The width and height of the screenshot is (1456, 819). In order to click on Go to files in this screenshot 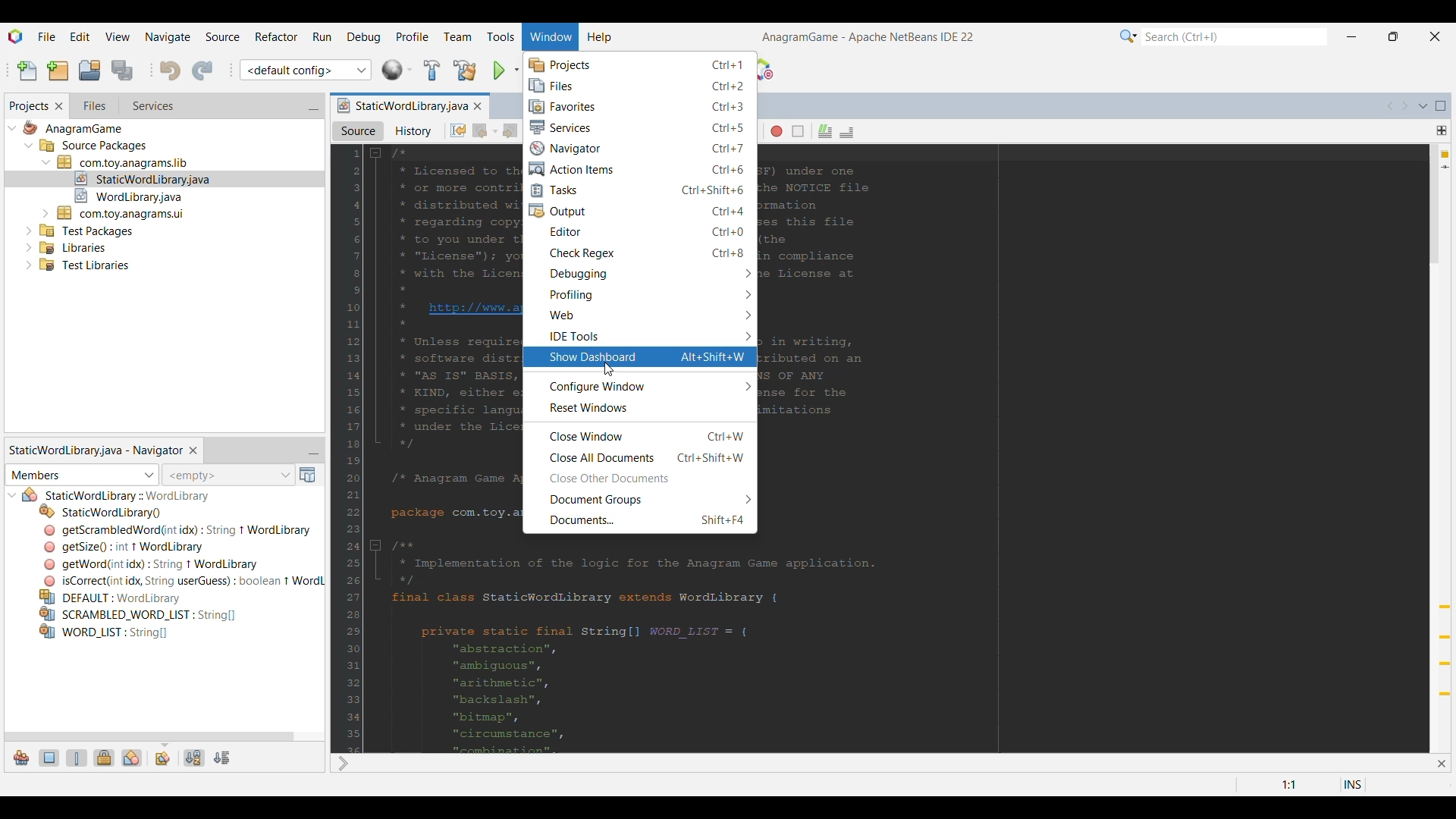, I will do `click(93, 105)`.